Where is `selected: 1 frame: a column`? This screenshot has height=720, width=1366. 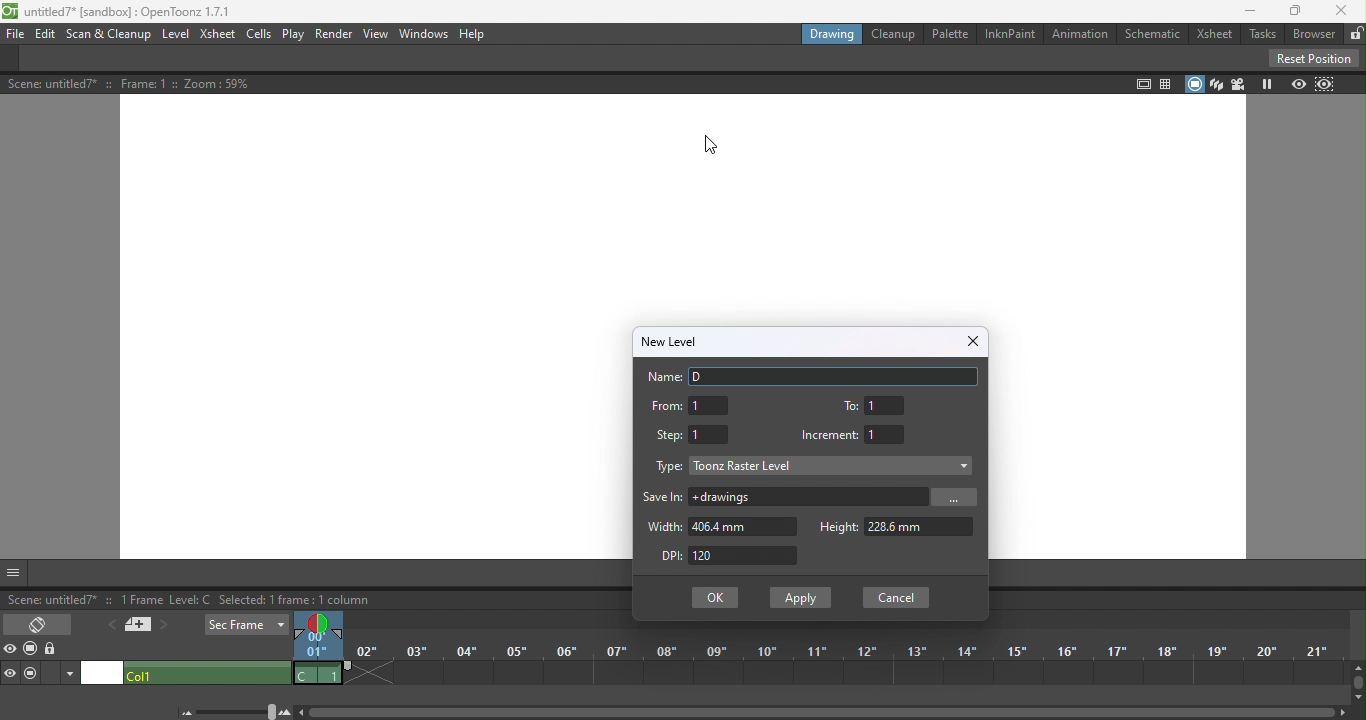 selected: 1 frame: a column is located at coordinates (249, 601).